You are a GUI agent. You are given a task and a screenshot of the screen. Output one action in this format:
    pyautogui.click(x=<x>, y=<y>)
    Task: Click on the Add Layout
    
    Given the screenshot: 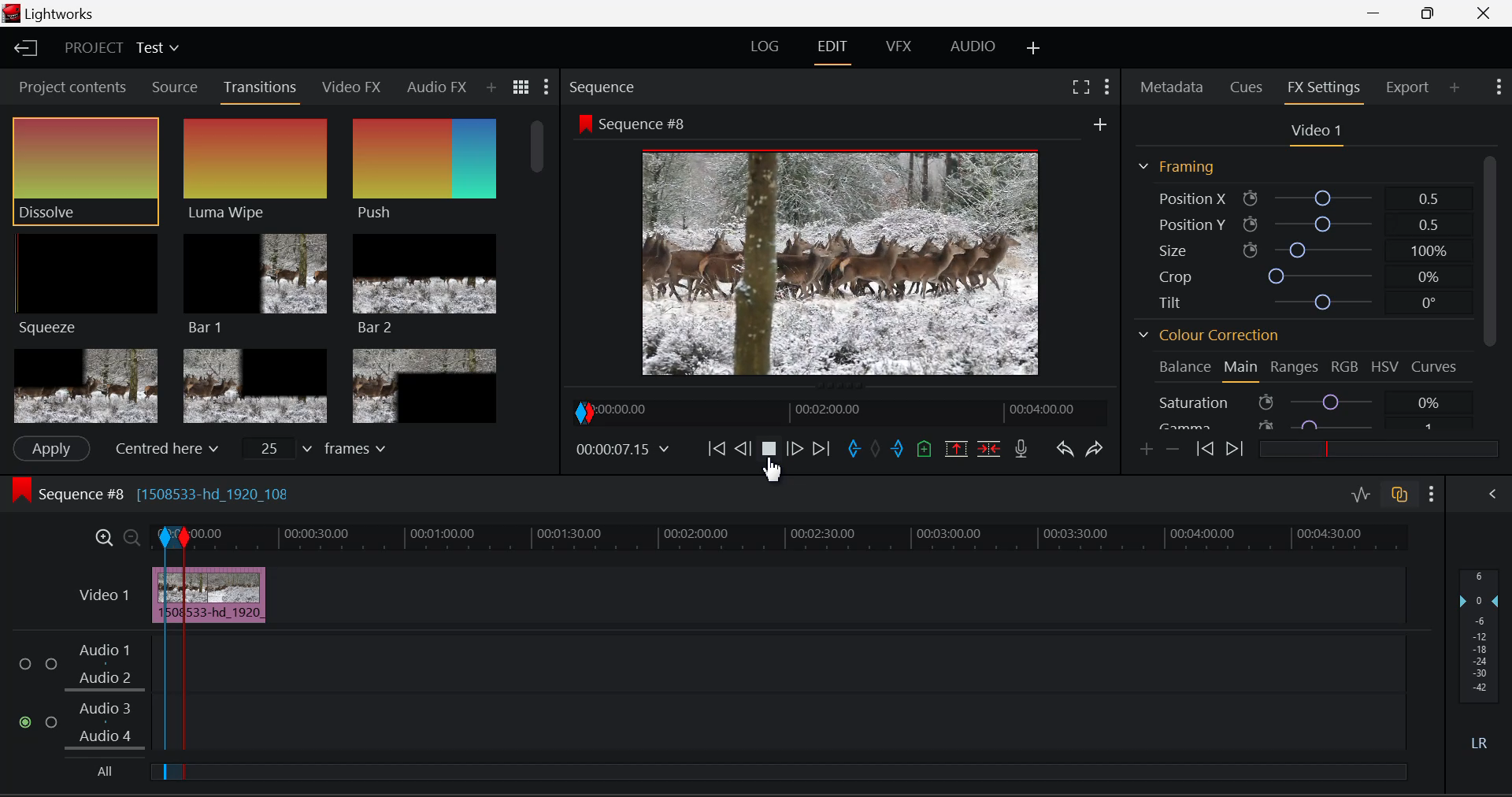 What is the action you would take?
    pyautogui.click(x=1034, y=50)
    